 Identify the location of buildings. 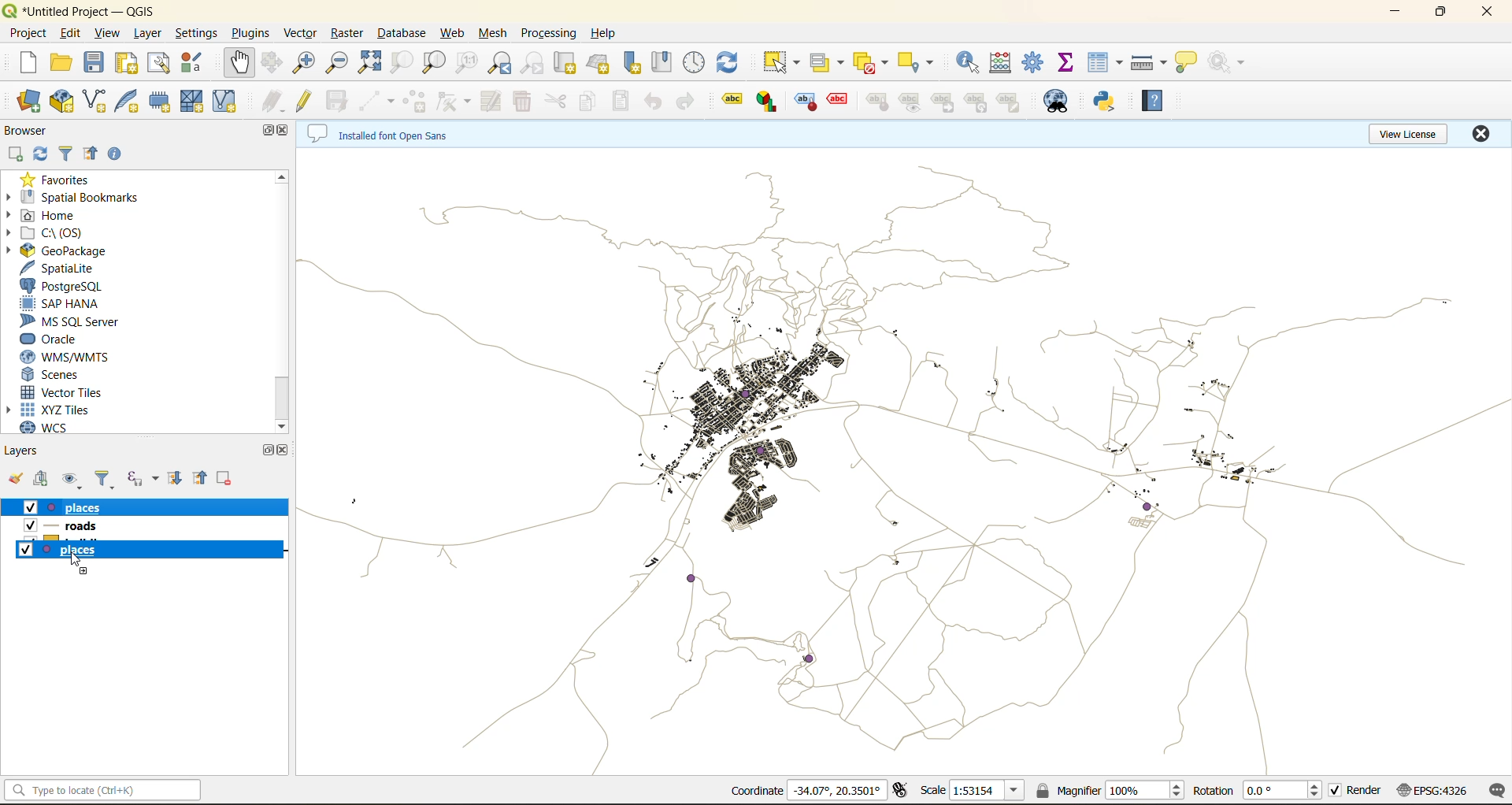
(148, 550).